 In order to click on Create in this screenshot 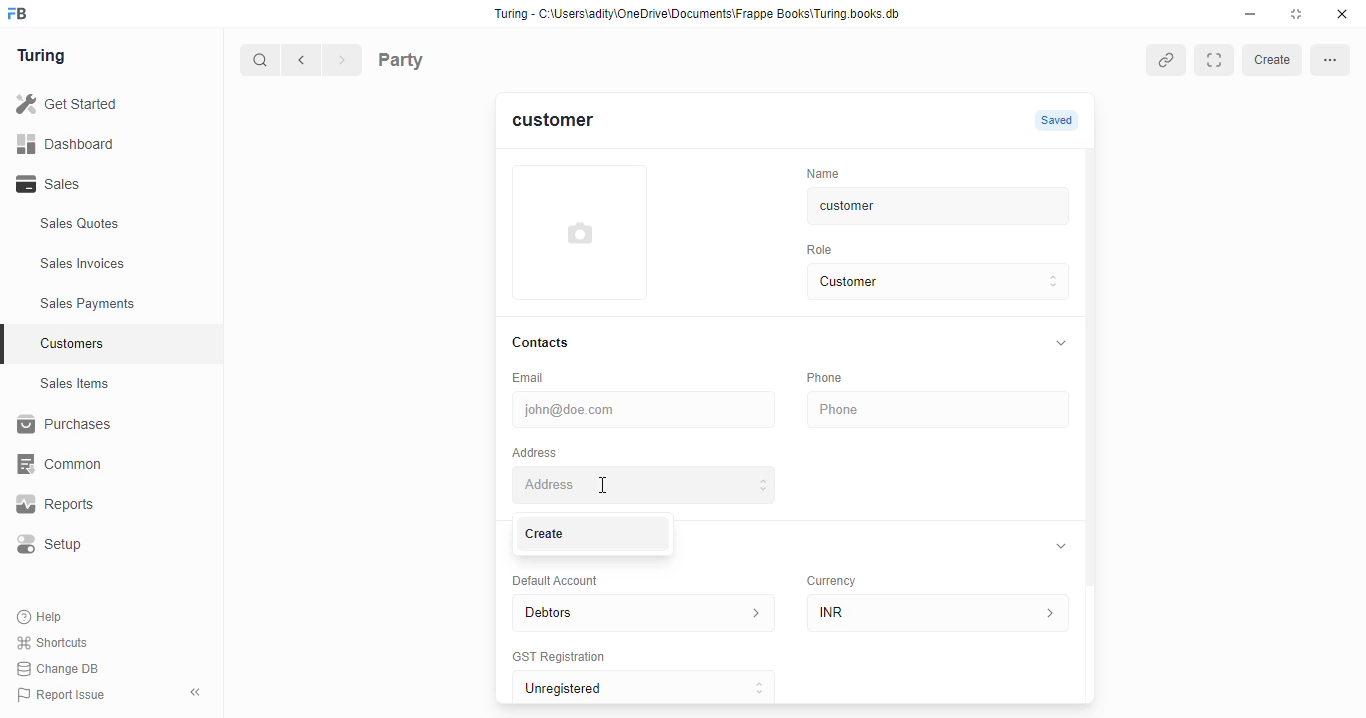, I will do `click(594, 535)`.